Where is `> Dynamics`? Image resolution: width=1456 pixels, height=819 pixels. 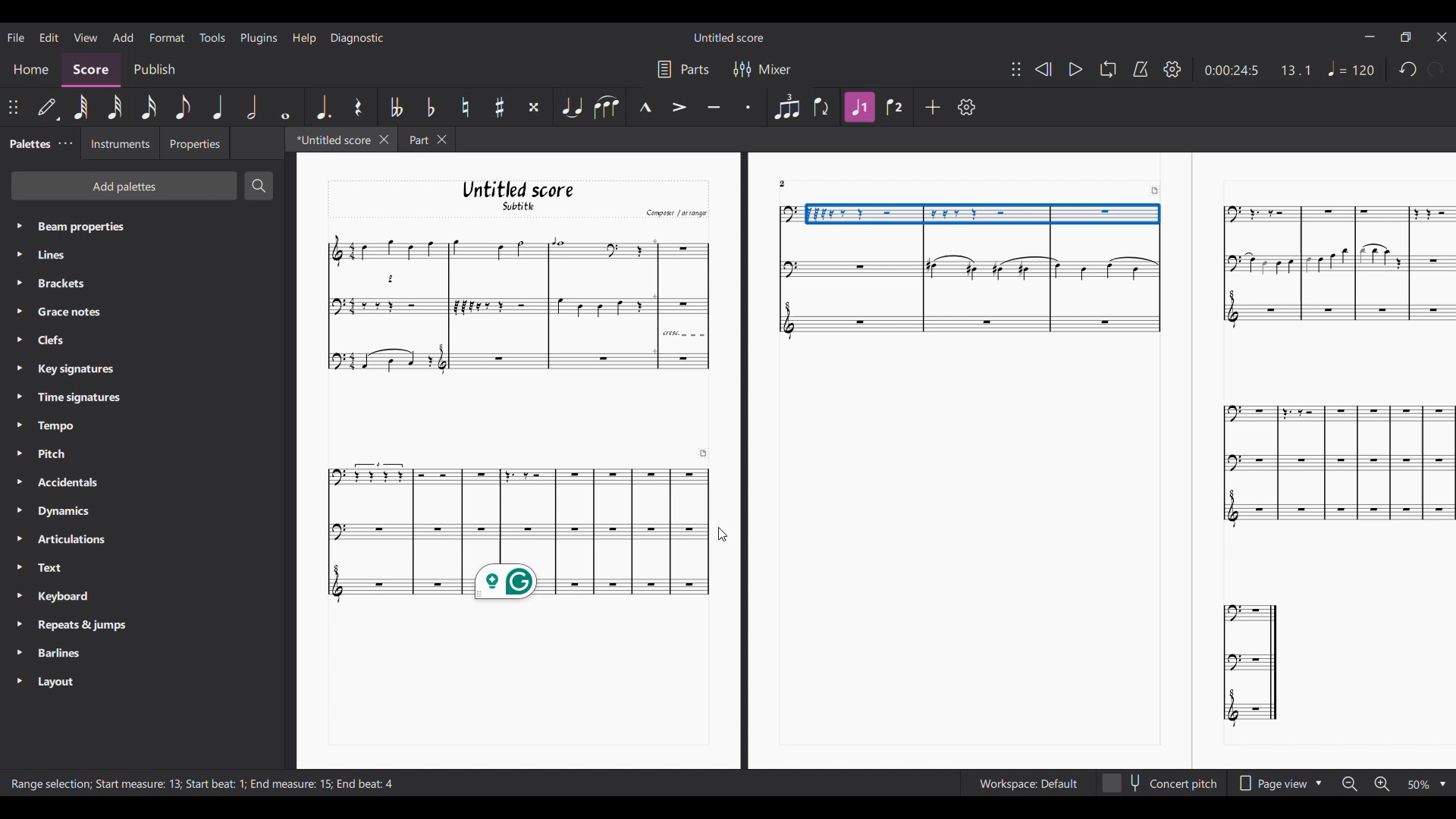 > Dynamics is located at coordinates (61, 513).